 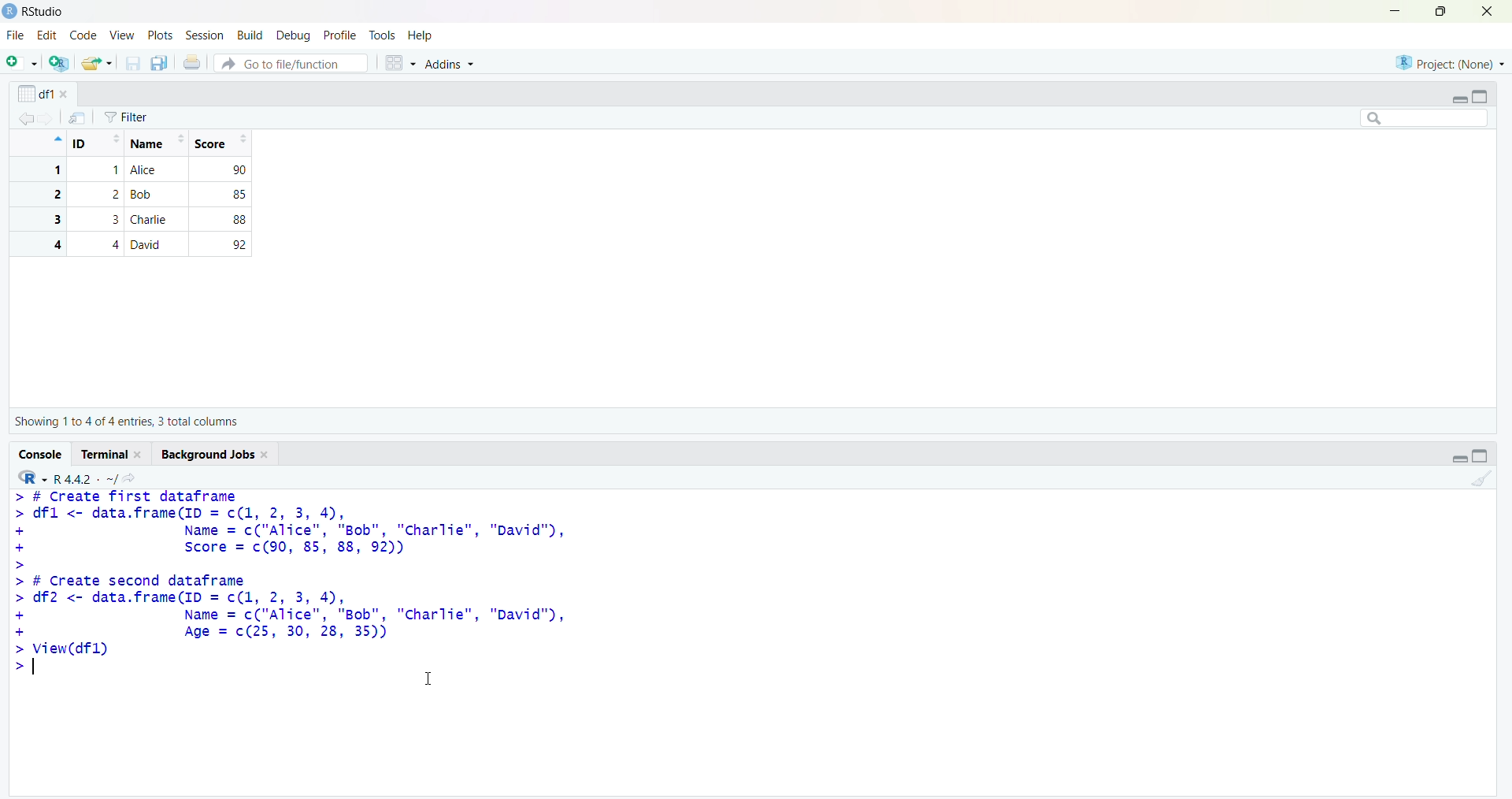 I want to click on build, so click(x=252, y=36).